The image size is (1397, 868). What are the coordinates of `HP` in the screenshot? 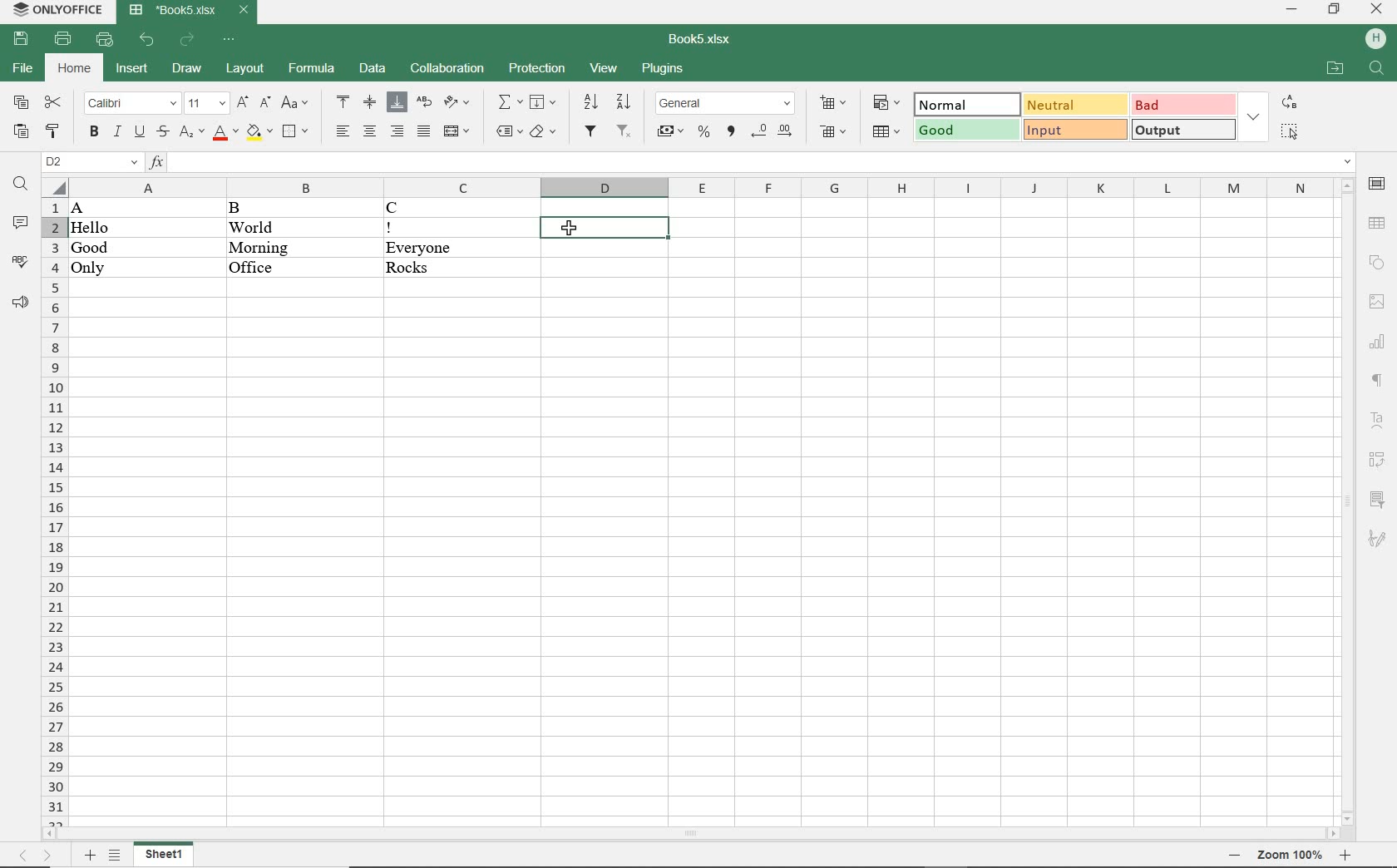 It's located at (1375, 40).